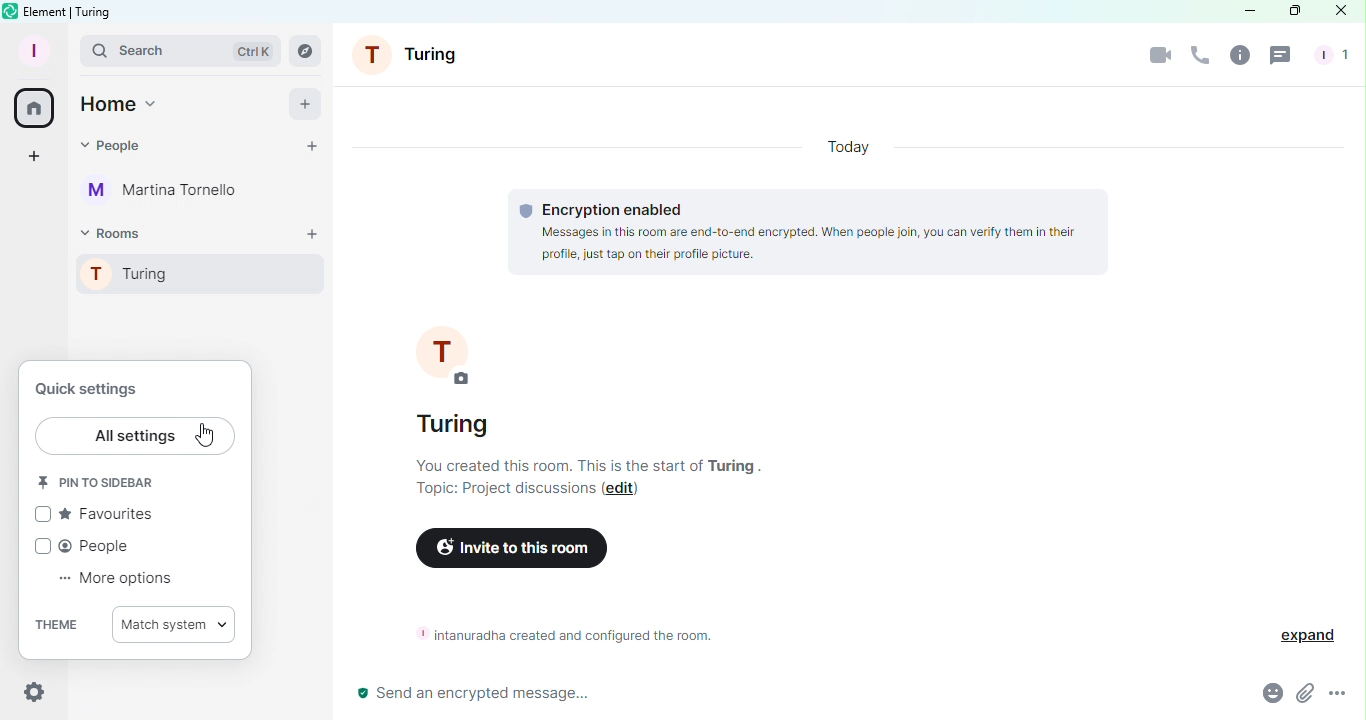  What do you see at coordinates (1305, 695) in the screenshot?
I see `Attachment` at bounding box center [1305, 695].